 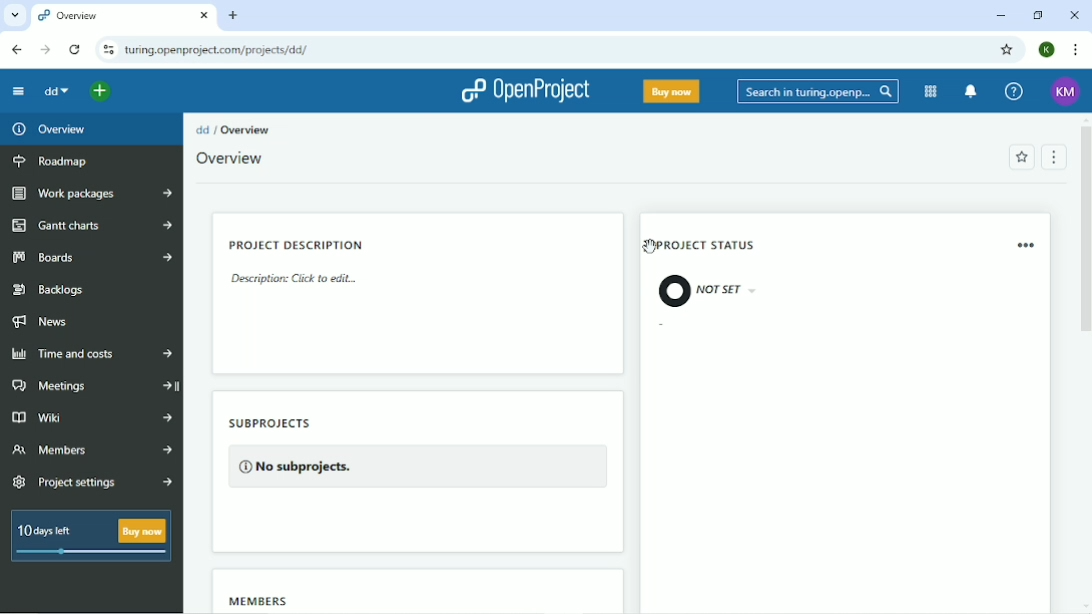 What do you see at coordinates (648, 245) in the screenshot?
I see `Cursor` at bounding box center [648, 245].